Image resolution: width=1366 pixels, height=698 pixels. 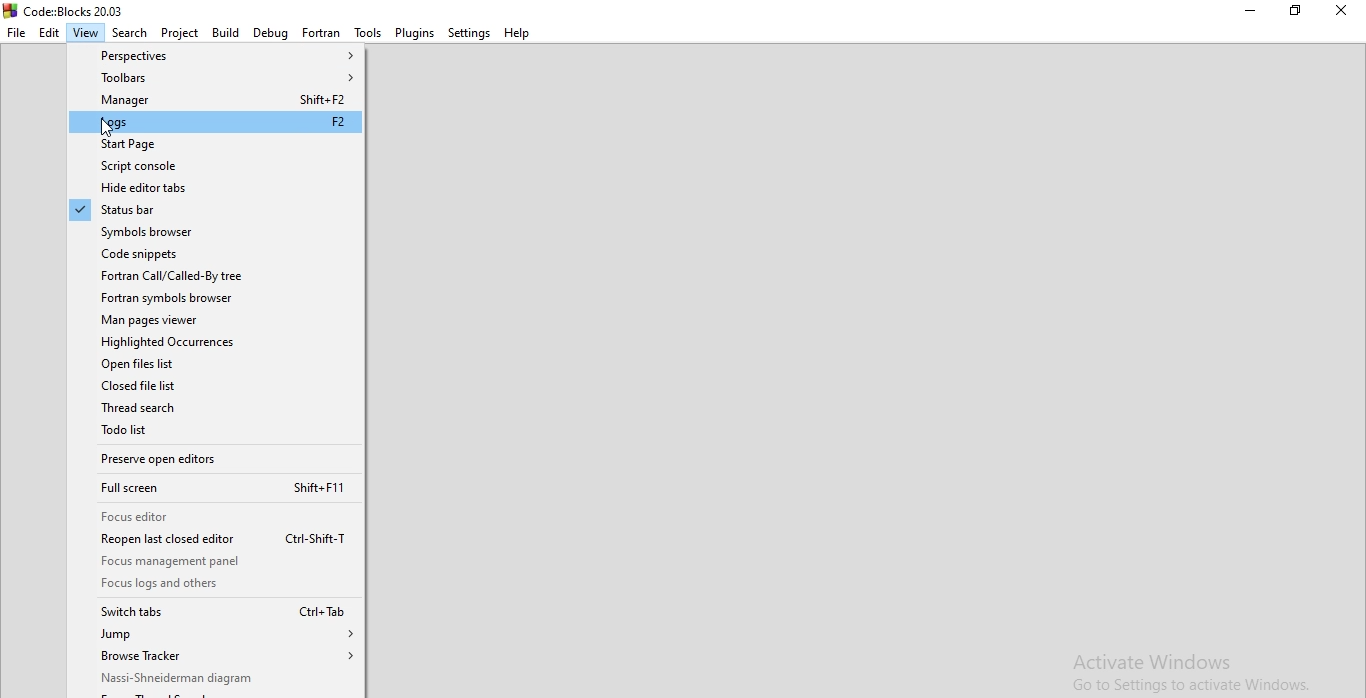 I want to click on Focus management panel, so click(x=217, y=562).